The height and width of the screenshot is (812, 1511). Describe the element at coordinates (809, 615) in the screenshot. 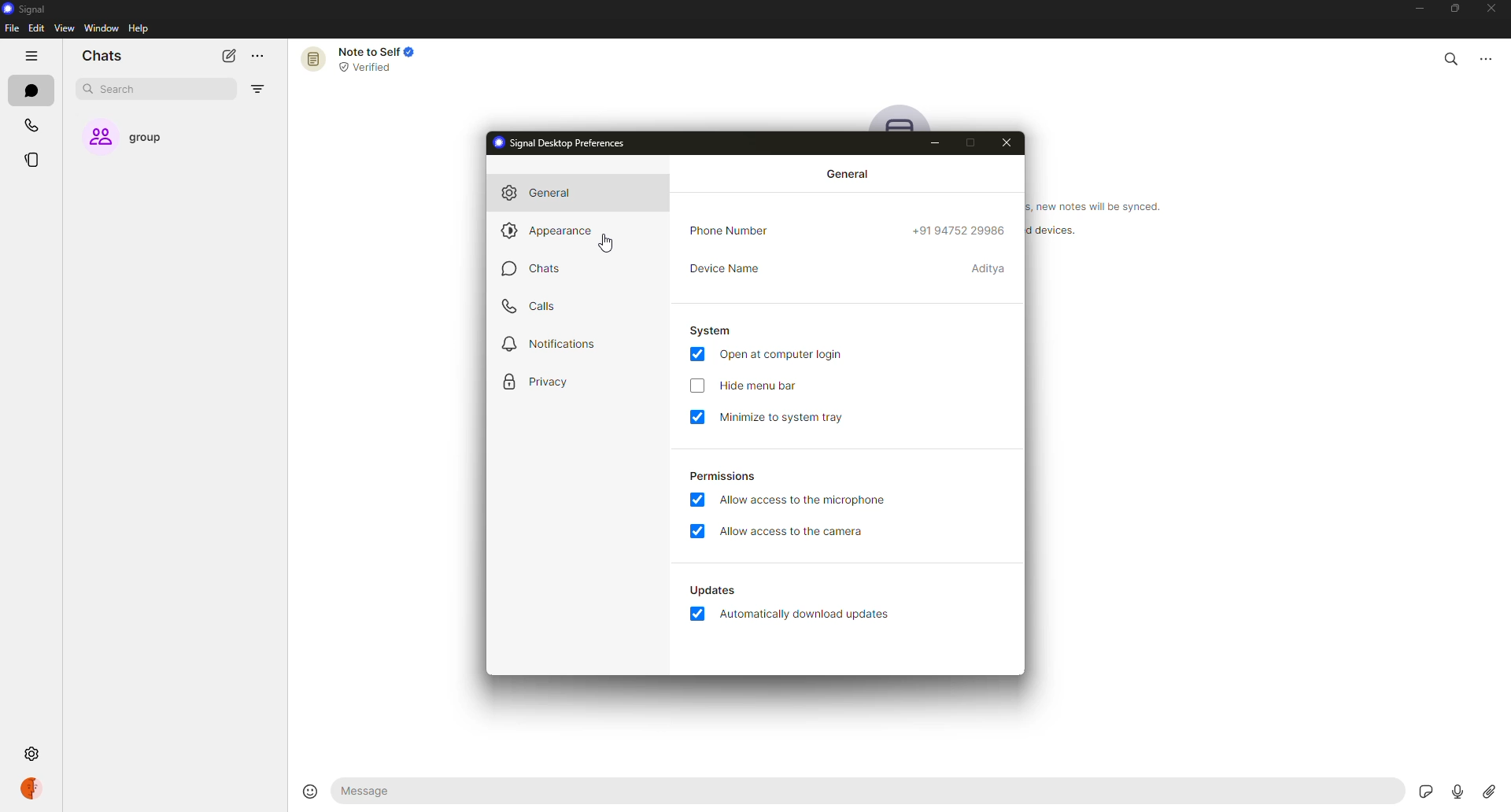

I see `automatically download updates` at that location.